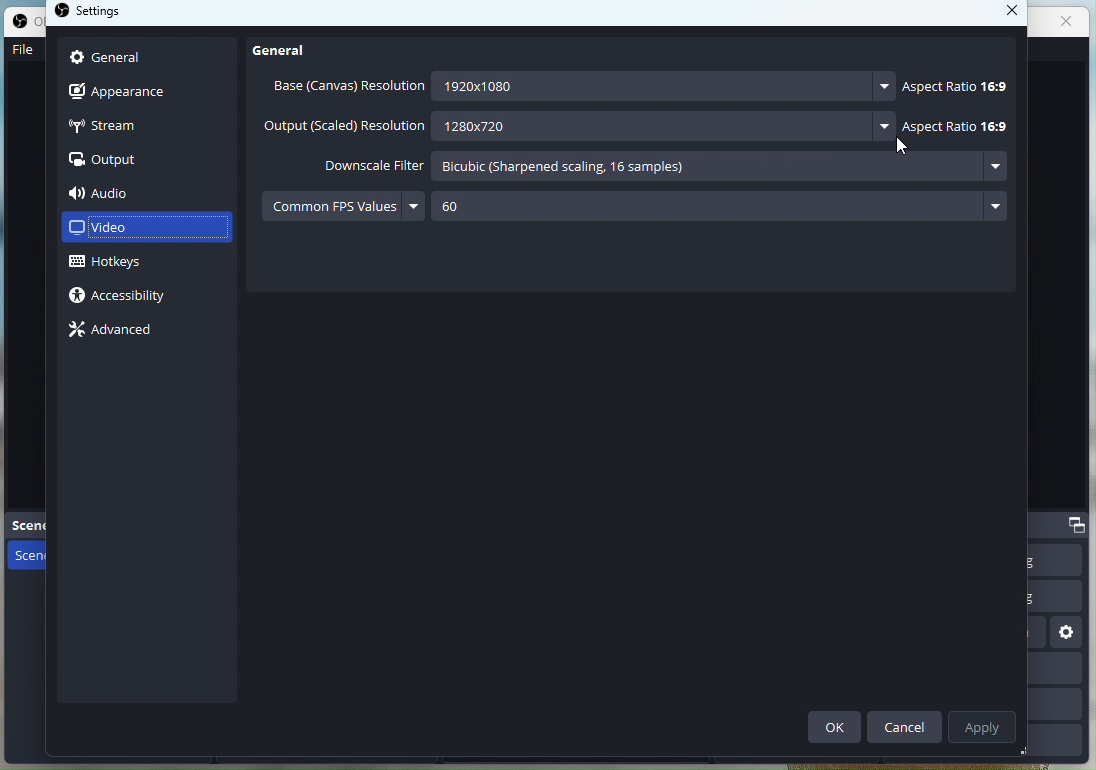  Describe the element at coordinates (132, 193) in the screenshot. I see `Audio` at that location.